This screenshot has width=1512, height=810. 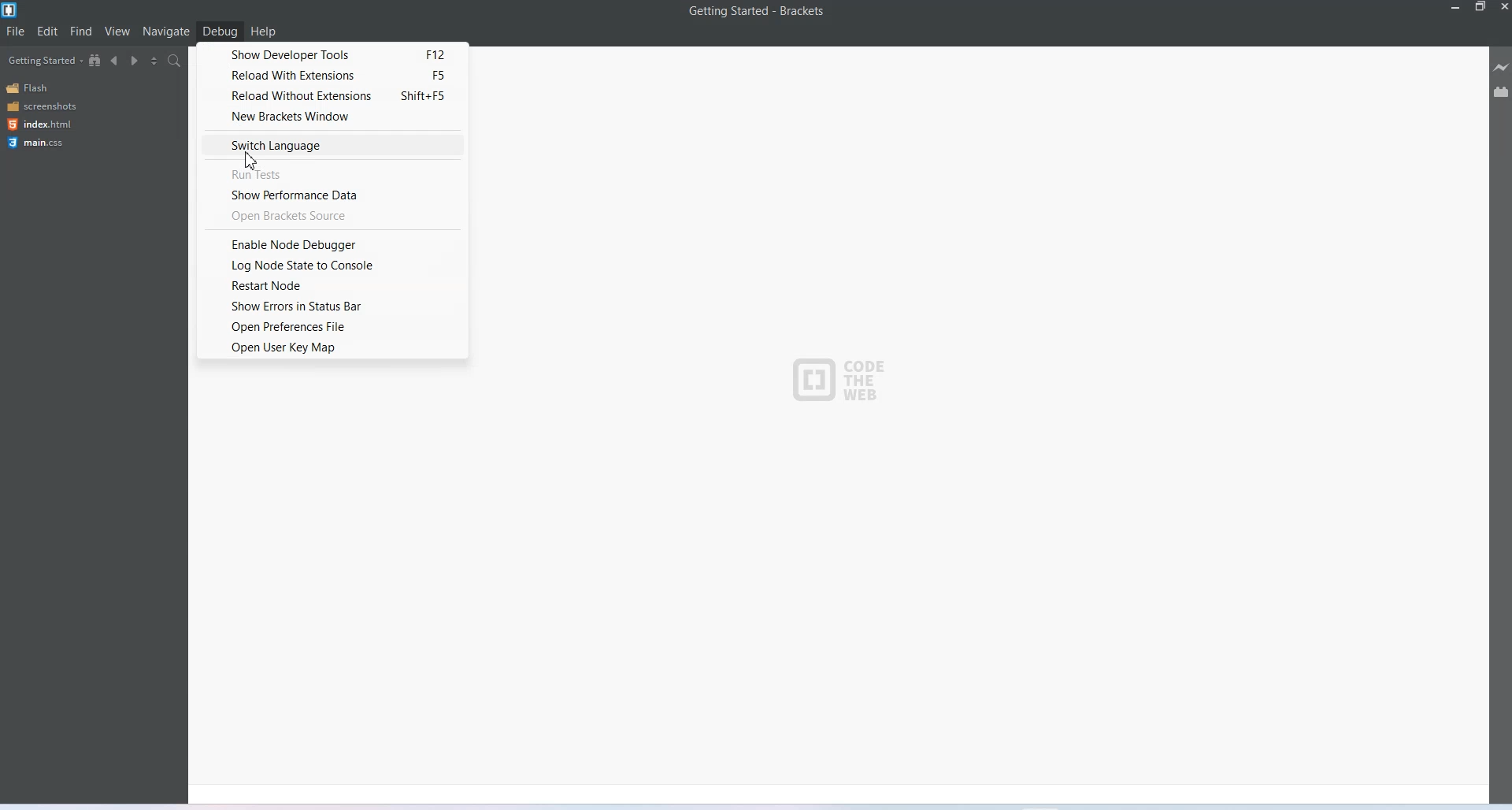 I want to click on Gating started, so click(x=40, y=61).